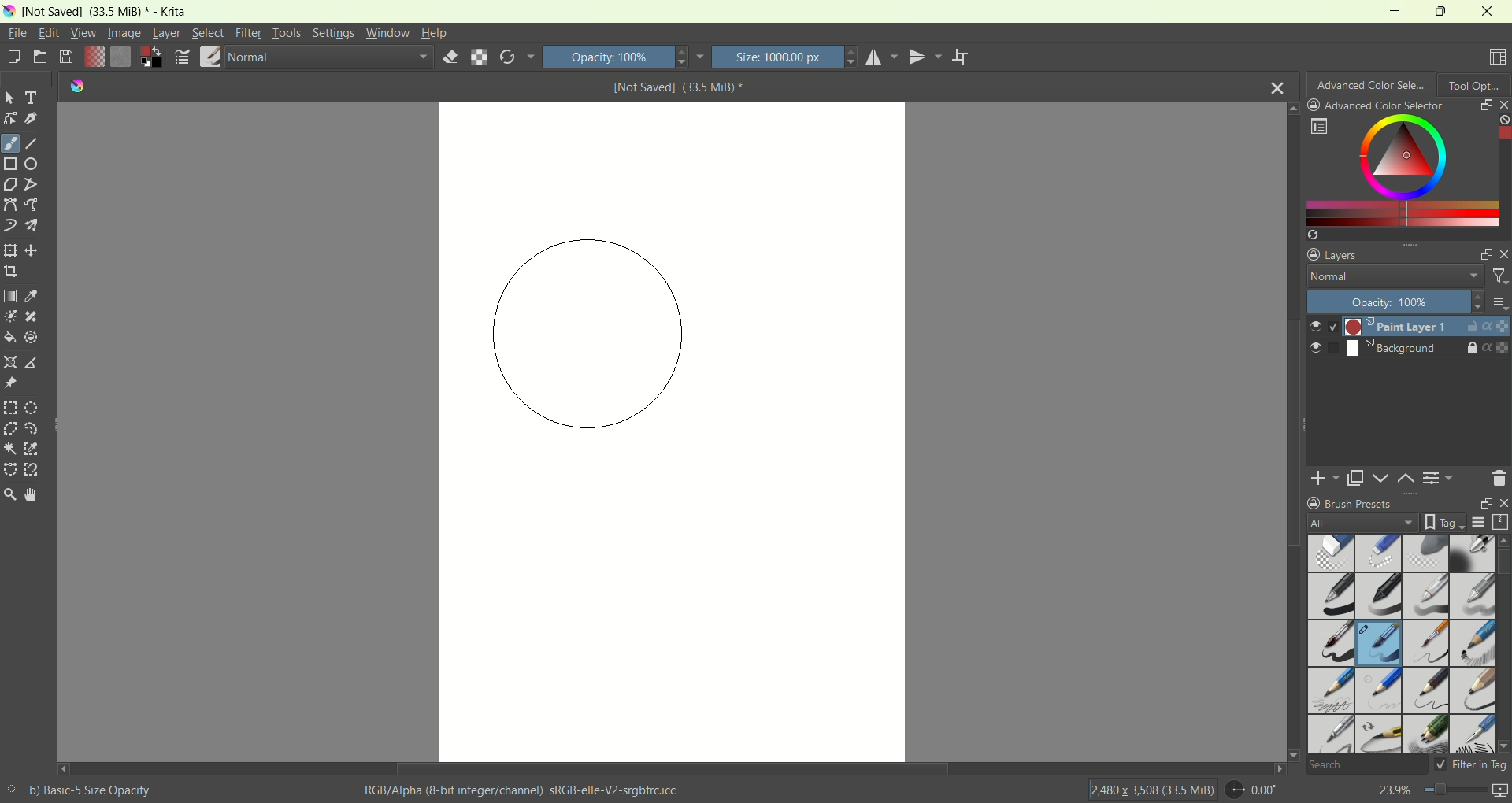 The height and width of the screenshot is (803, 1512). What do you see at coordinates (1475, 83) in the screenshot?
I see `tool option` at bounding box center [1475, 83].